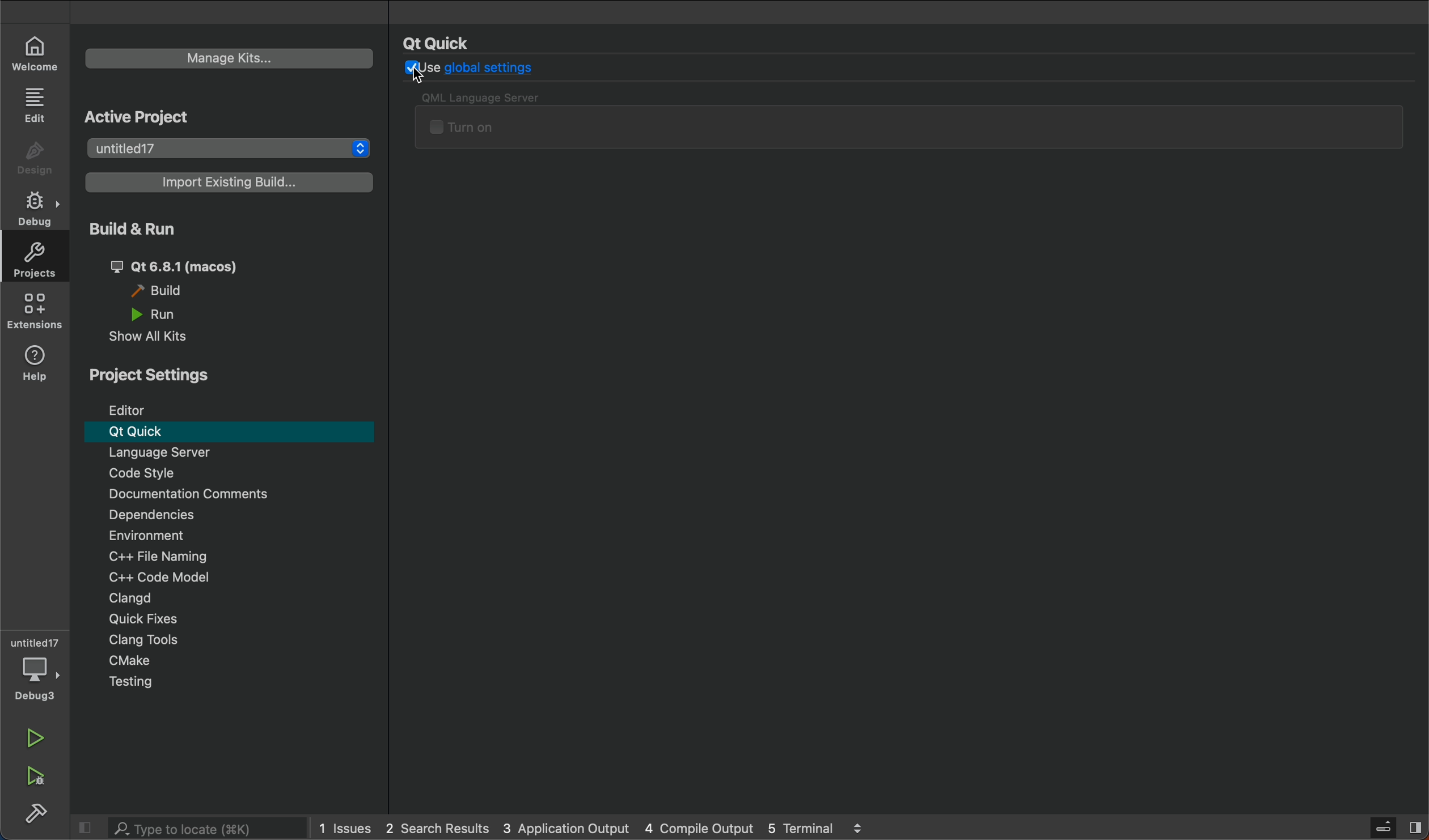  What do you see at coordinates (235, 682) in the screenshot?
I see `testing` at bounding box center [235, 682].